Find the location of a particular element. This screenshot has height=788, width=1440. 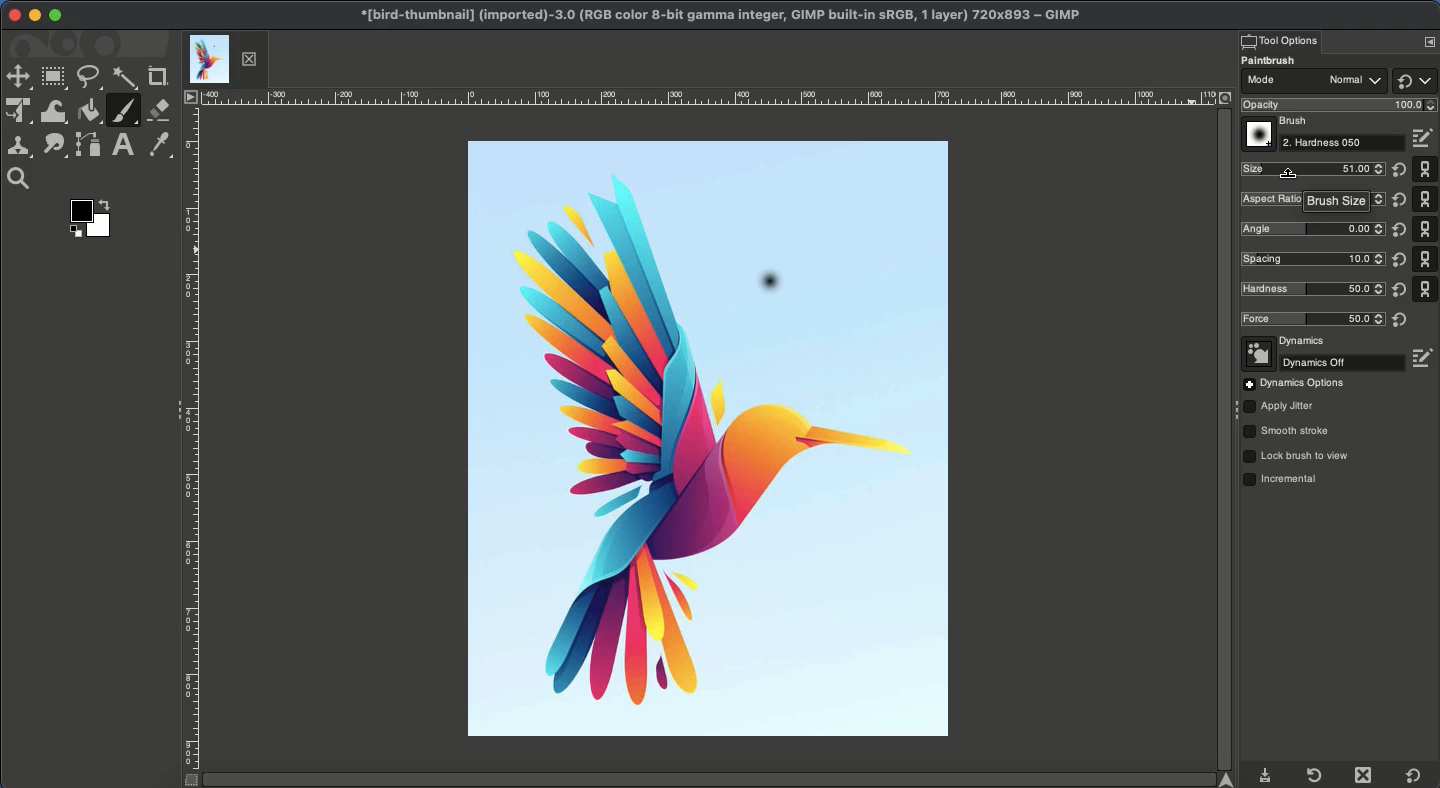

Close is located at coordinates (1367, 775).